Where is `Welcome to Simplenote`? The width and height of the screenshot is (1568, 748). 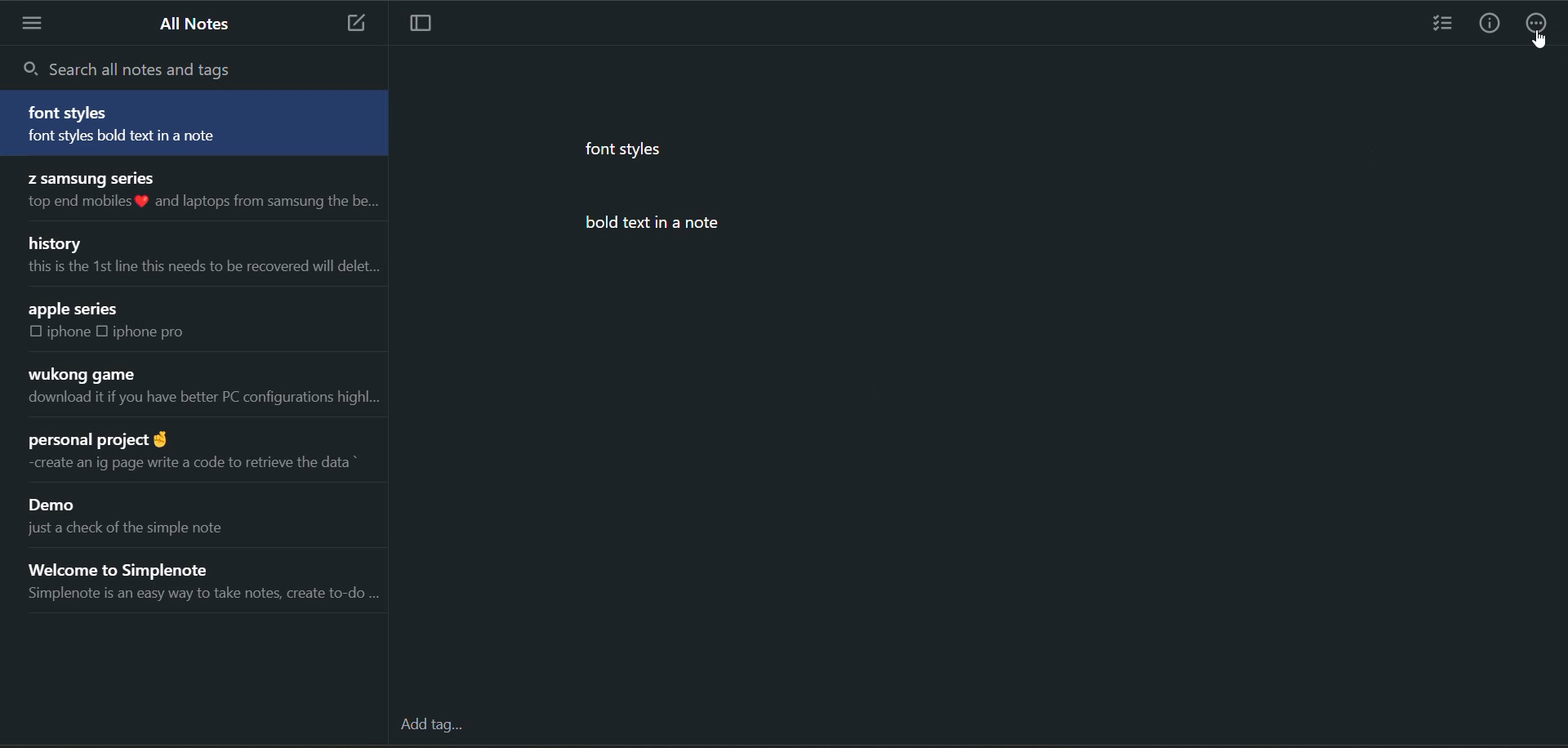 Welcome to Simplenote is located at coordinates (143, 566).